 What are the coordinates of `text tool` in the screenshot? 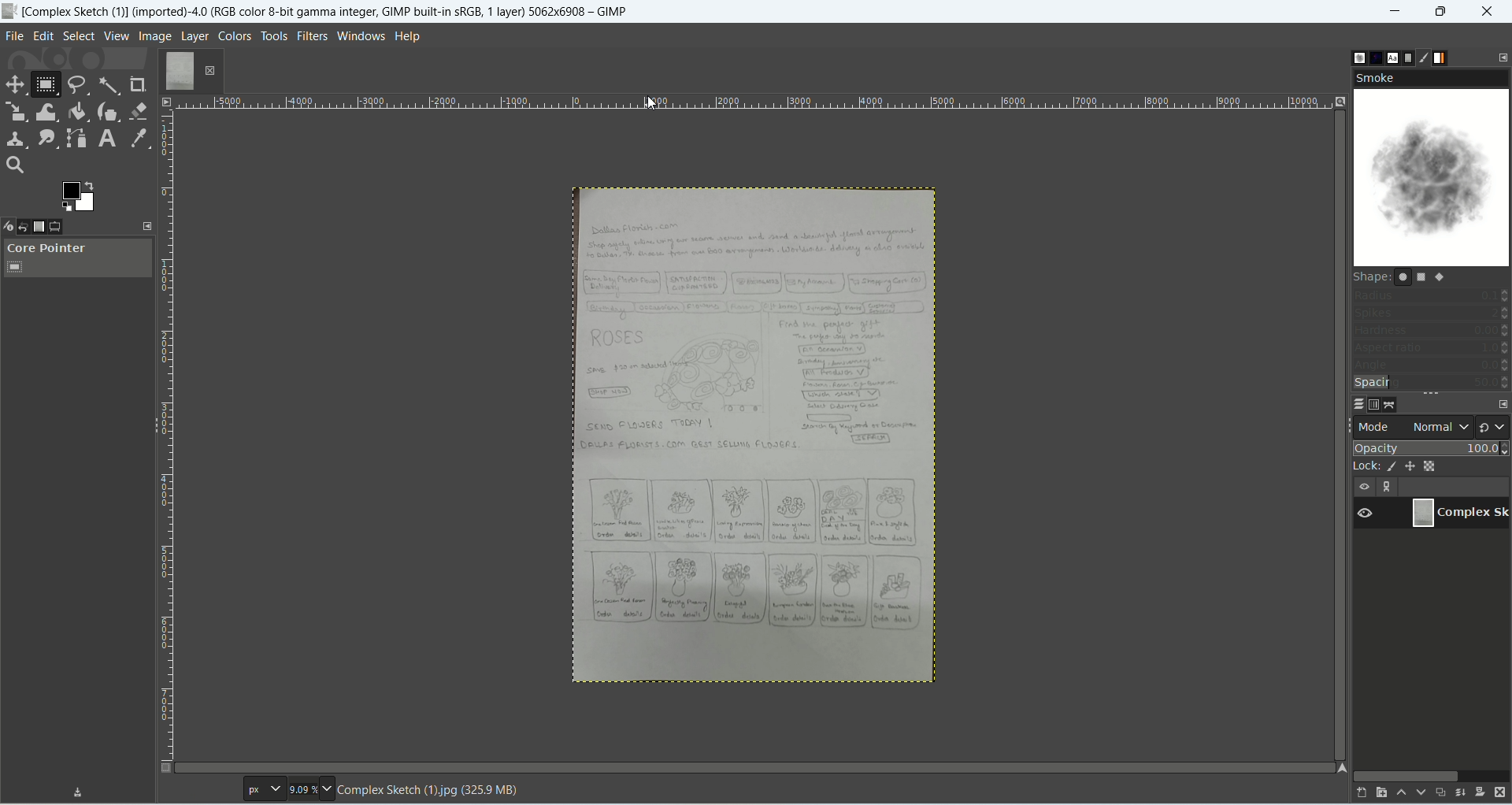 It's located at (106, 139).